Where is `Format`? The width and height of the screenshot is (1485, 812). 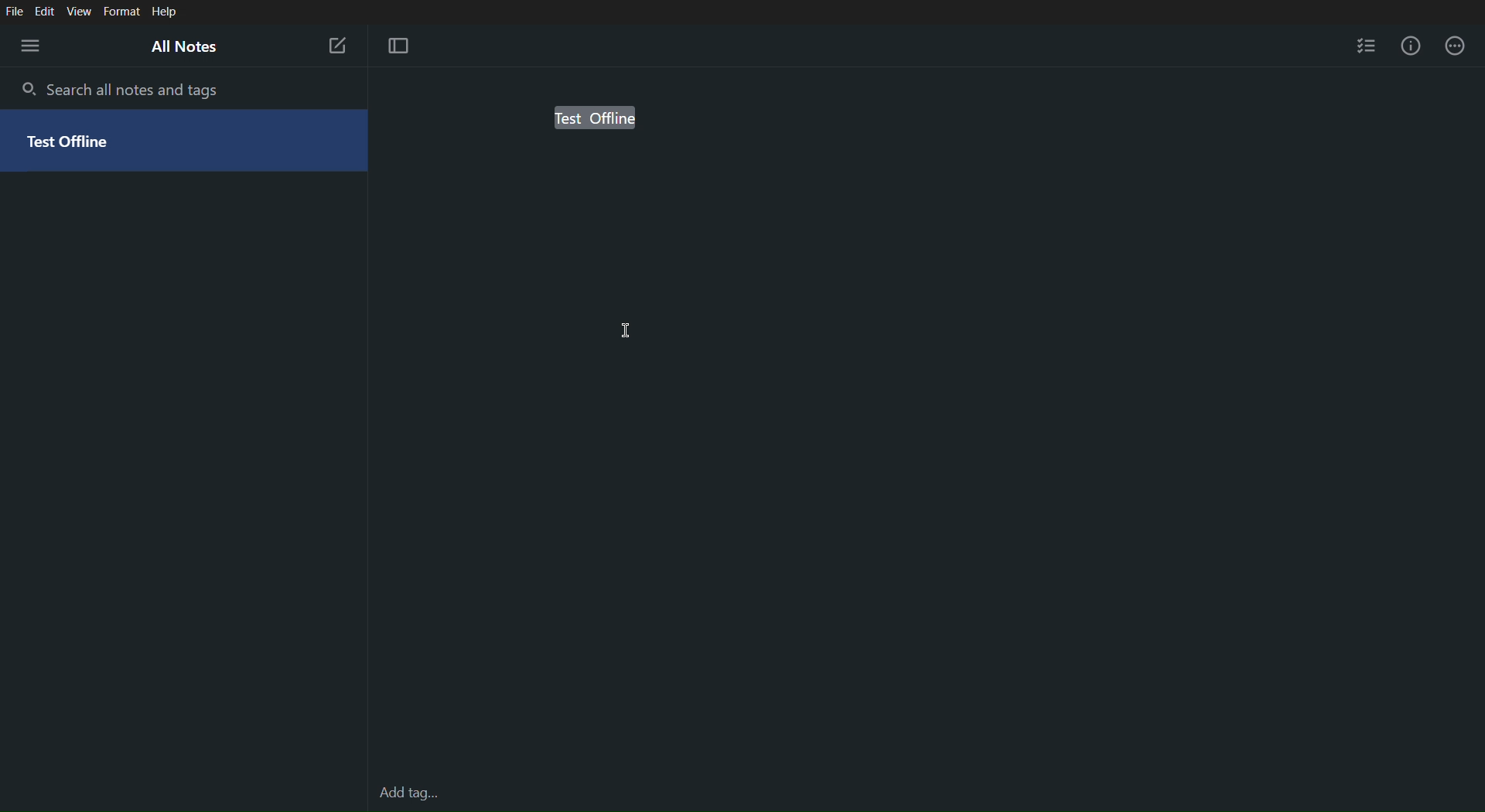 Format is located at coordinates (122, 10).